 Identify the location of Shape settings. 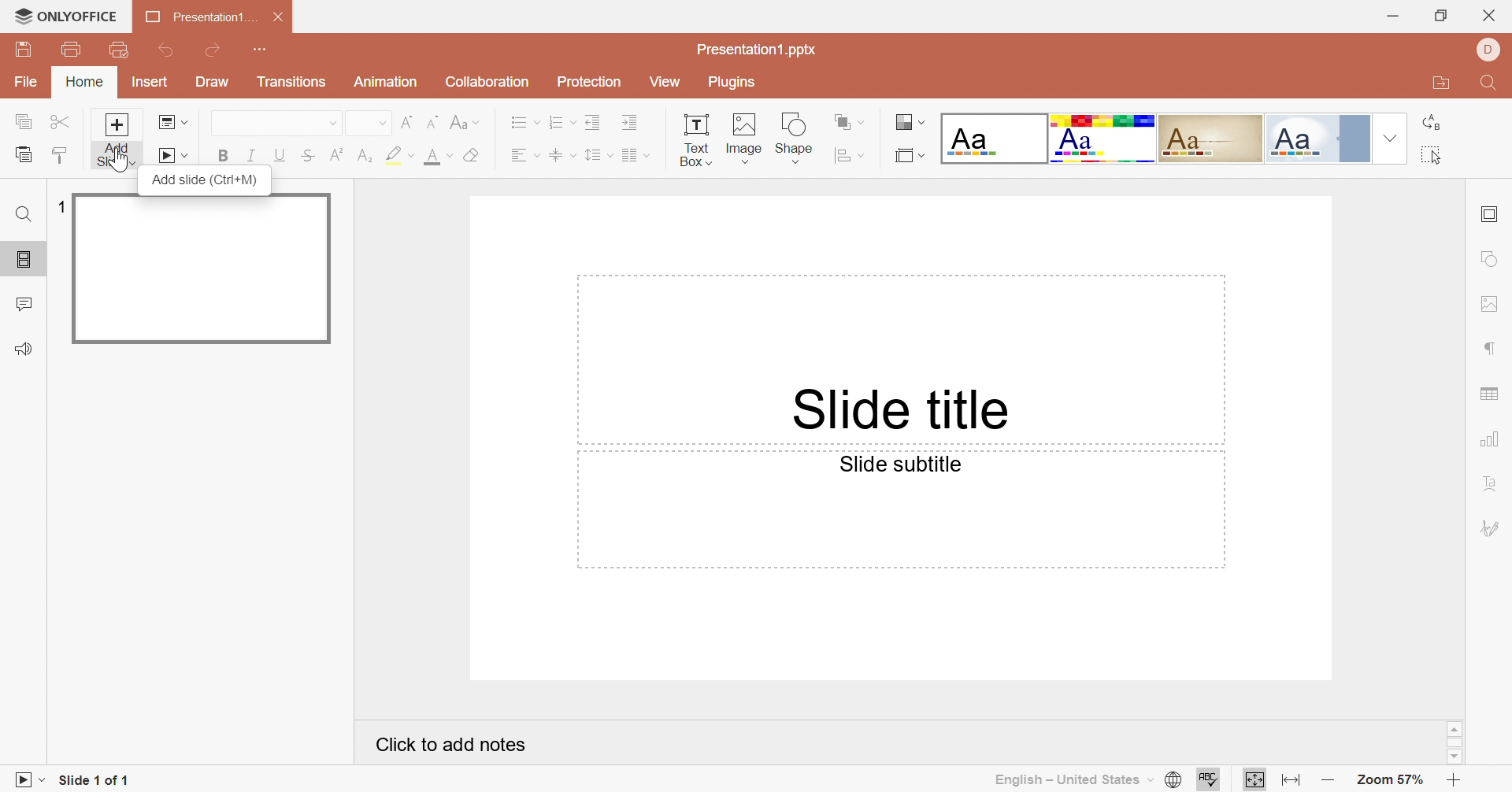
(1488, 258).